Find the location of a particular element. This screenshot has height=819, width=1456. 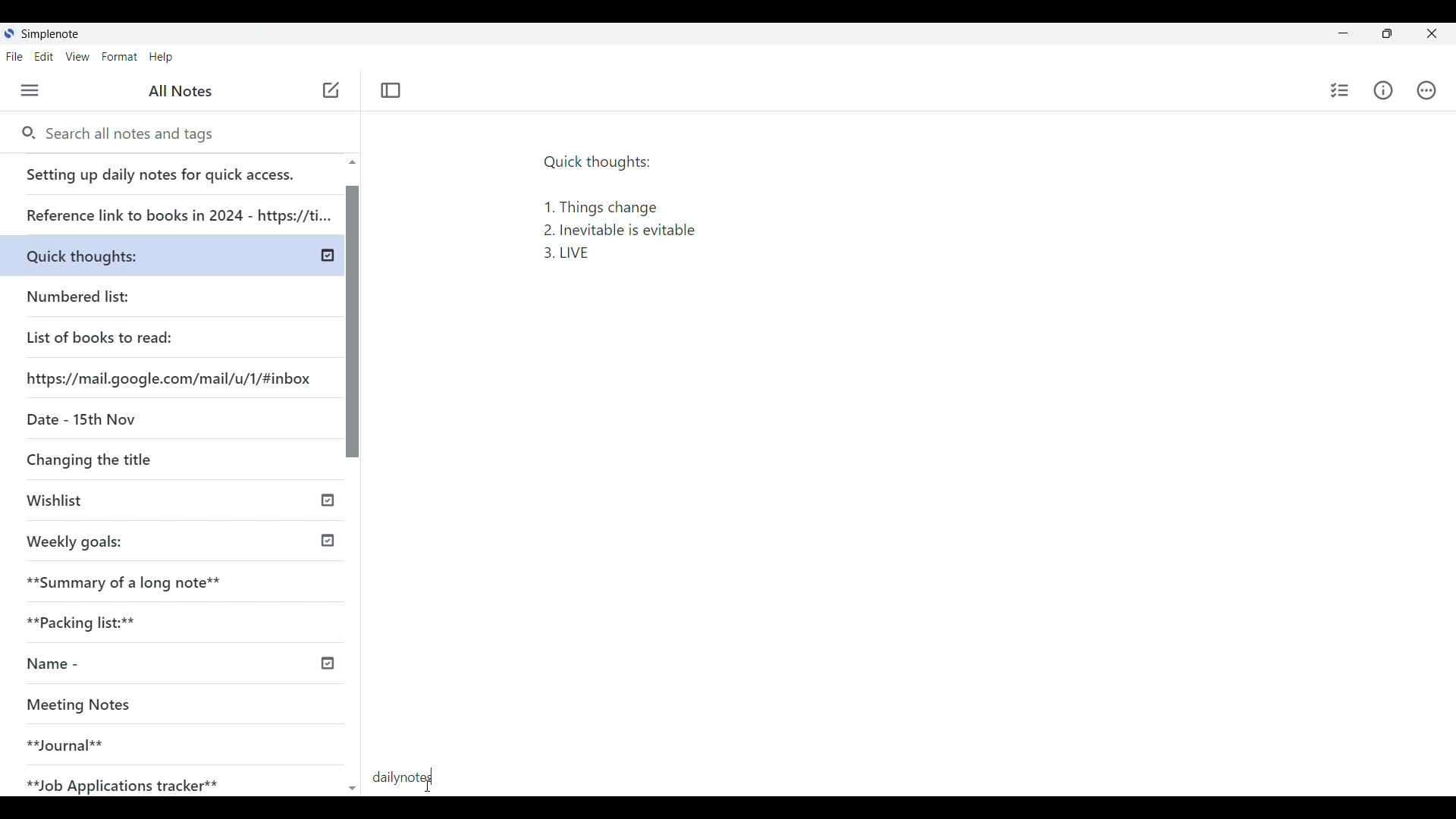

File menu is located at coordinates (14, 57).